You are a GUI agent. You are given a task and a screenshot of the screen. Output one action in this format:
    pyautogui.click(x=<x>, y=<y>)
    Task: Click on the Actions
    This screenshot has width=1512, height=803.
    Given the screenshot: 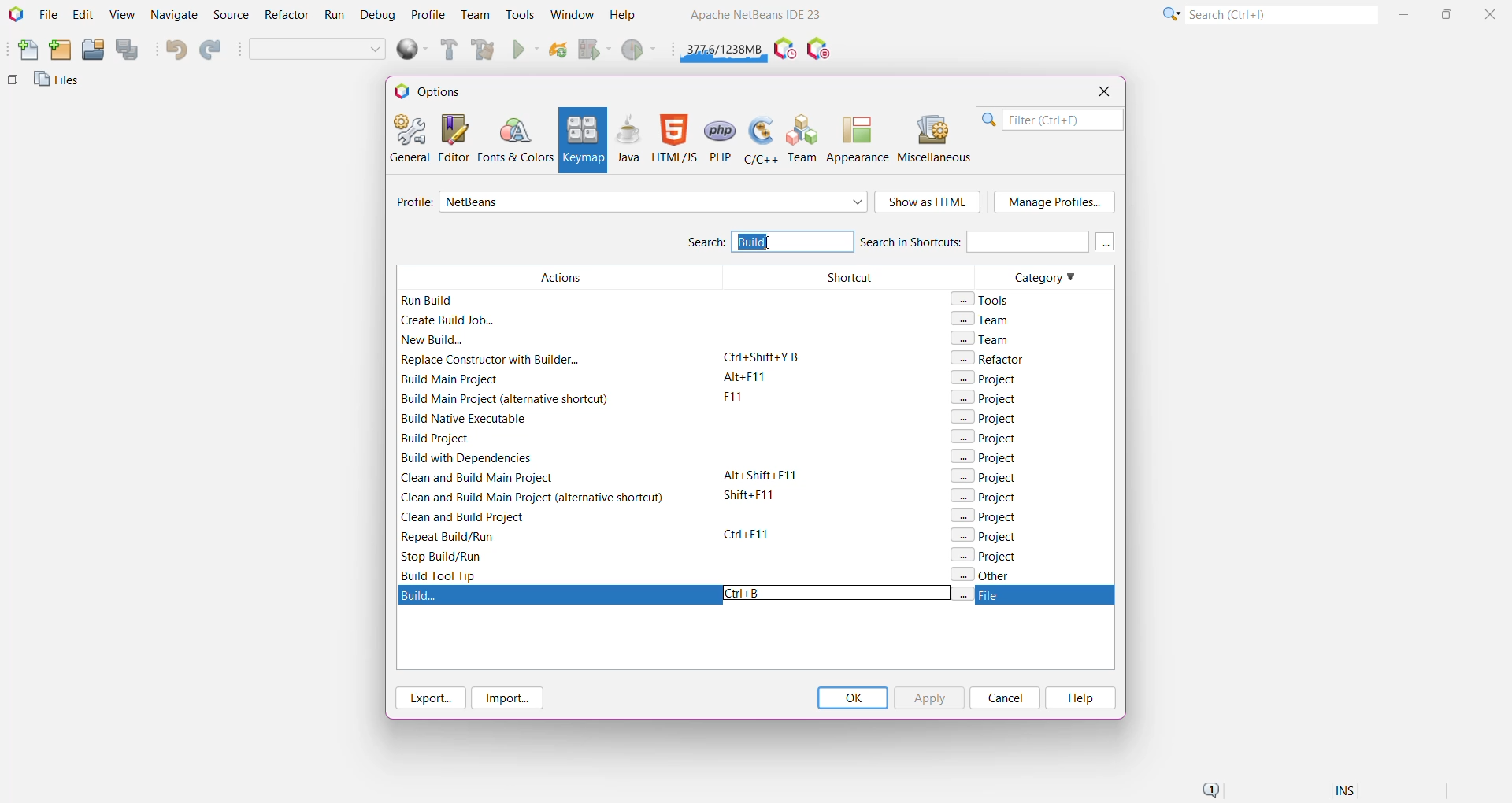 What is the action you would take?
    pyautogui.click(x=554, y=424)
    